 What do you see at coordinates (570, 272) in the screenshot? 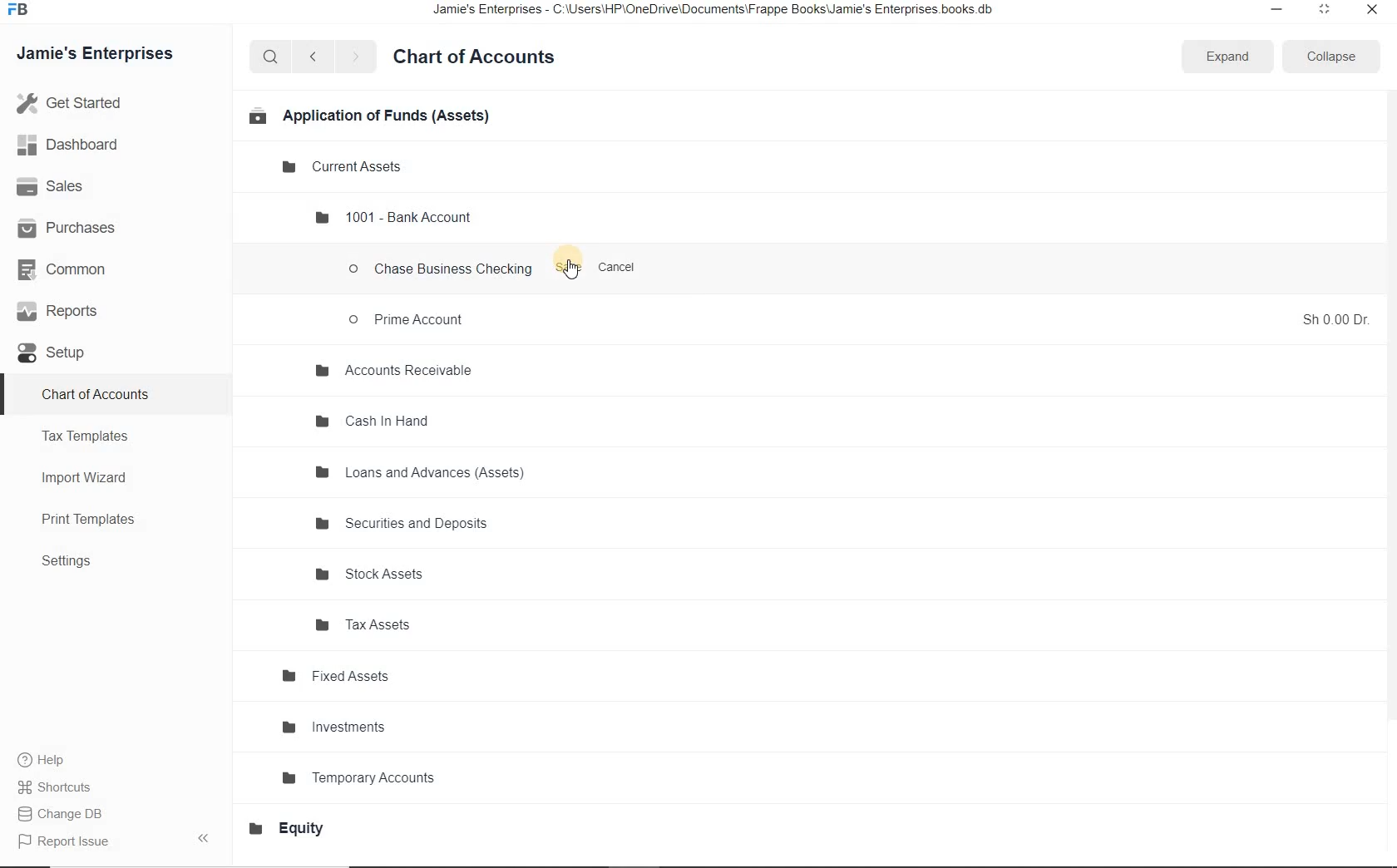
I see `cursor` at bounding box center [570, 272].